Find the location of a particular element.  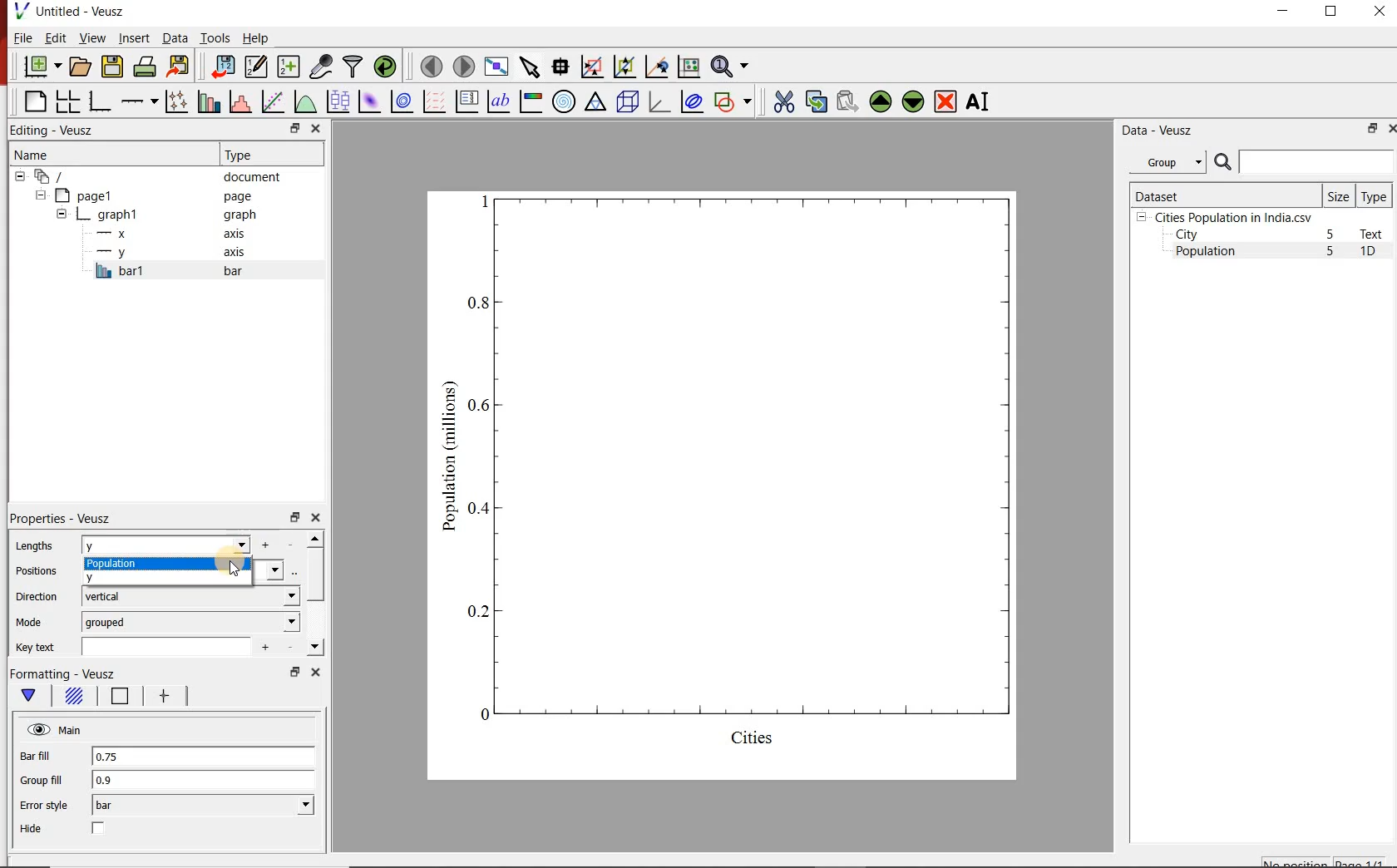

Bar fill is located at coordinates (47, 757).